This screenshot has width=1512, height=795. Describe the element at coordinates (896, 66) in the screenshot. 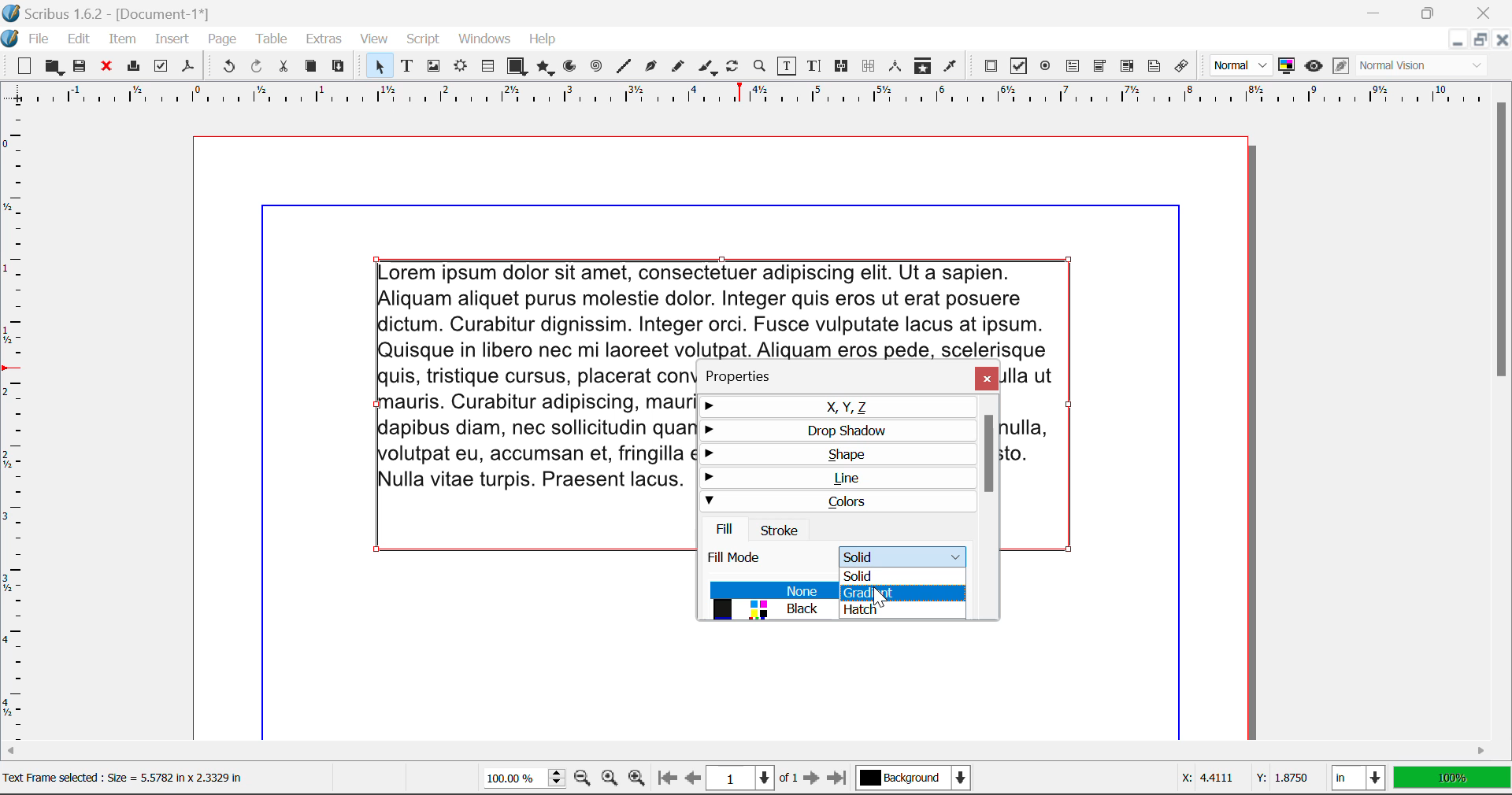

I see `Measurements` at that location.